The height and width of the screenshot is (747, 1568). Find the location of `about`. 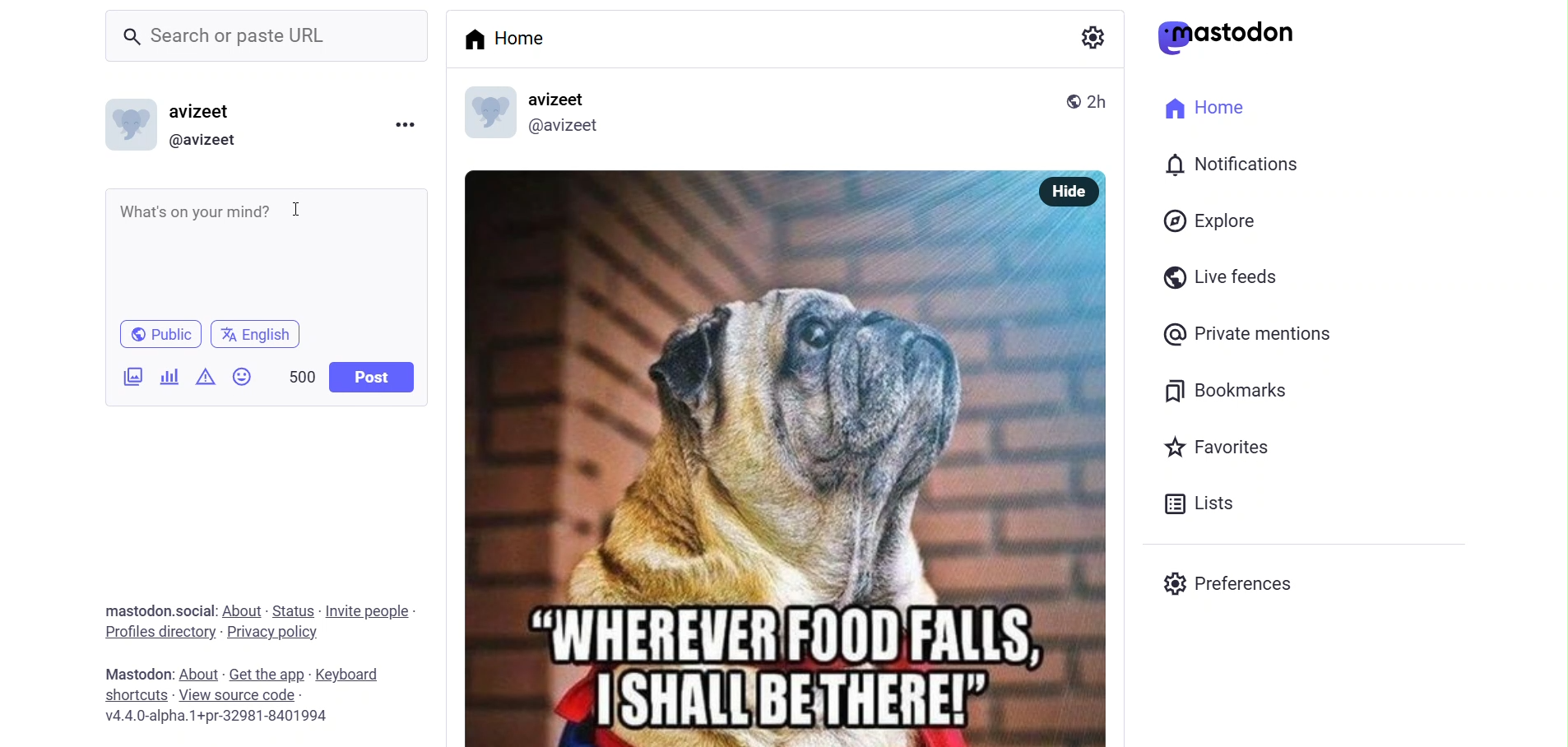

about is located at coordinates (242, 611).